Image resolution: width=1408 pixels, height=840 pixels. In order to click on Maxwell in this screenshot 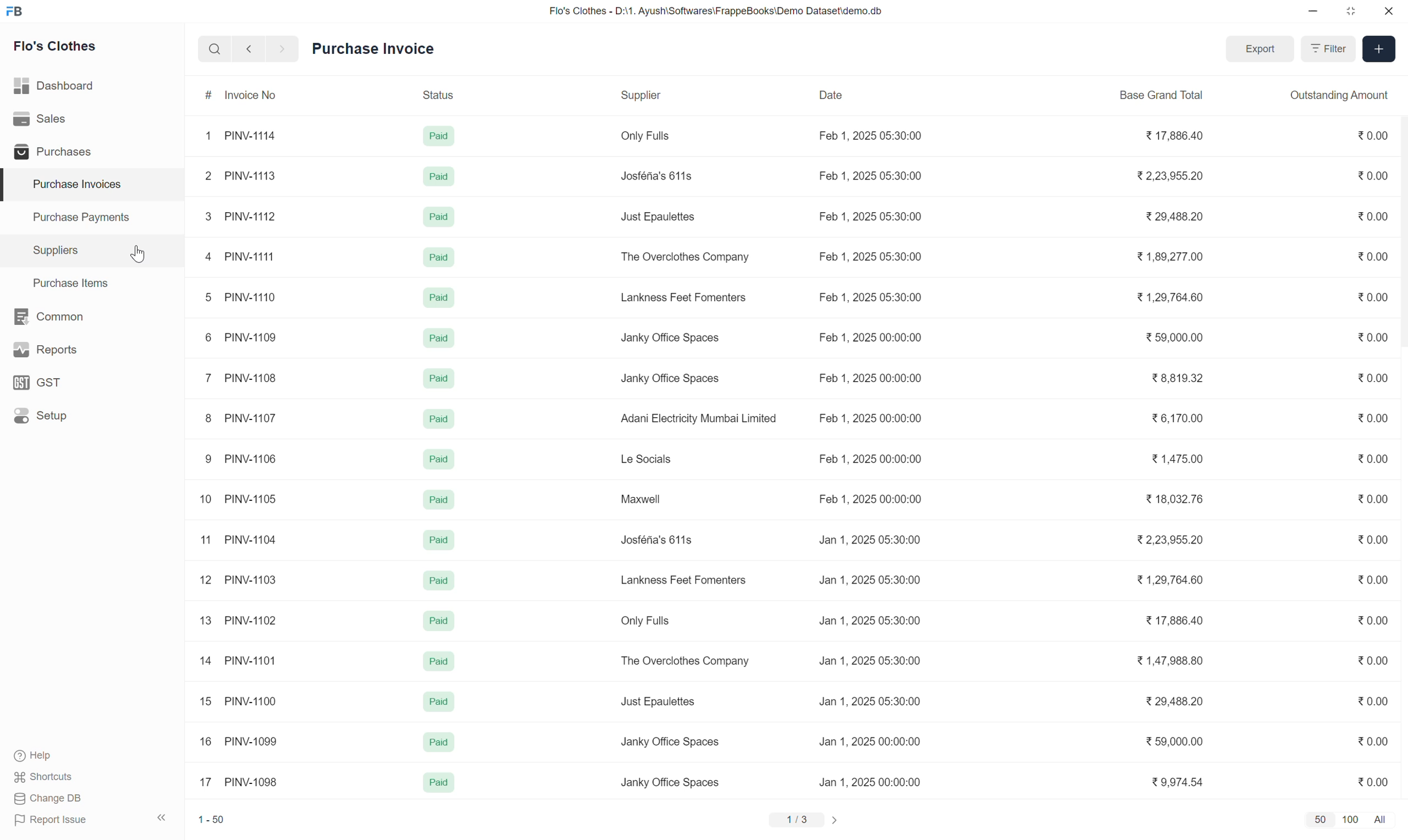, I will do `click(641, 498)`.